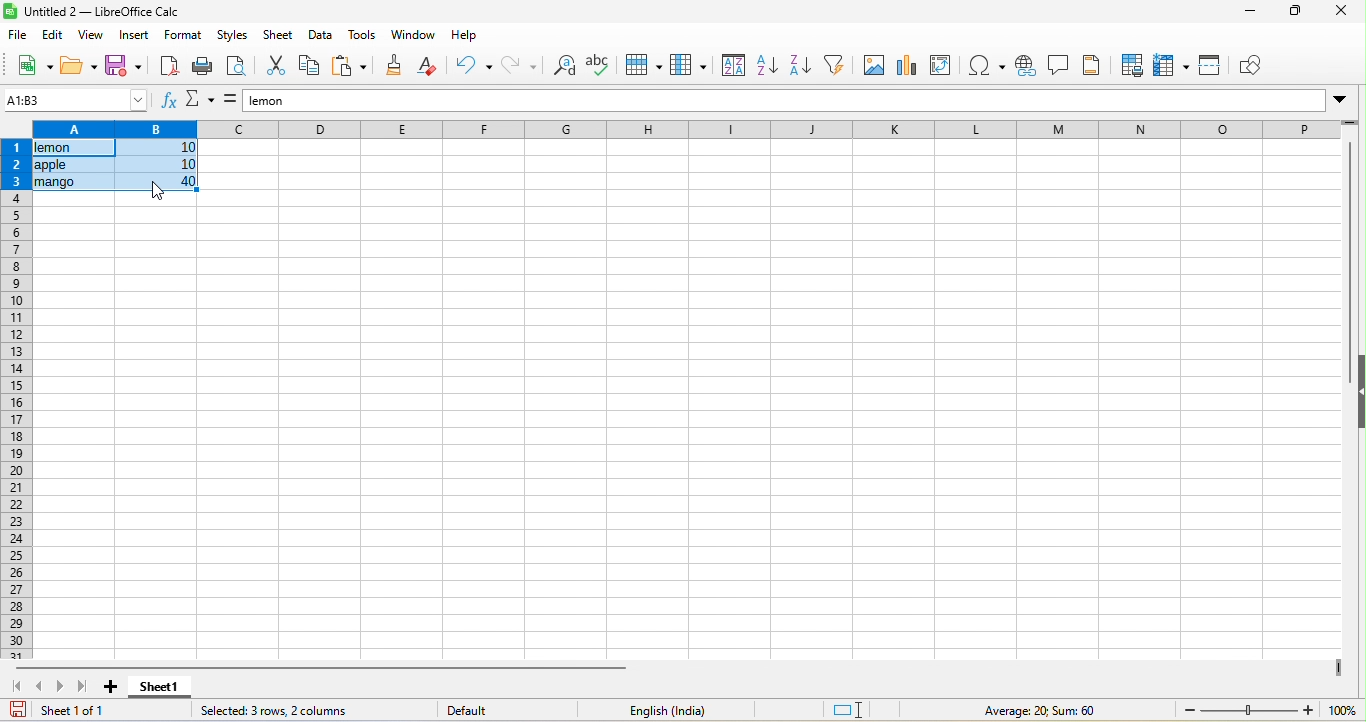  What do you see at coordinates (235, 68) in the screenshot?
I see `print preview` at bounding box center [235, 68].